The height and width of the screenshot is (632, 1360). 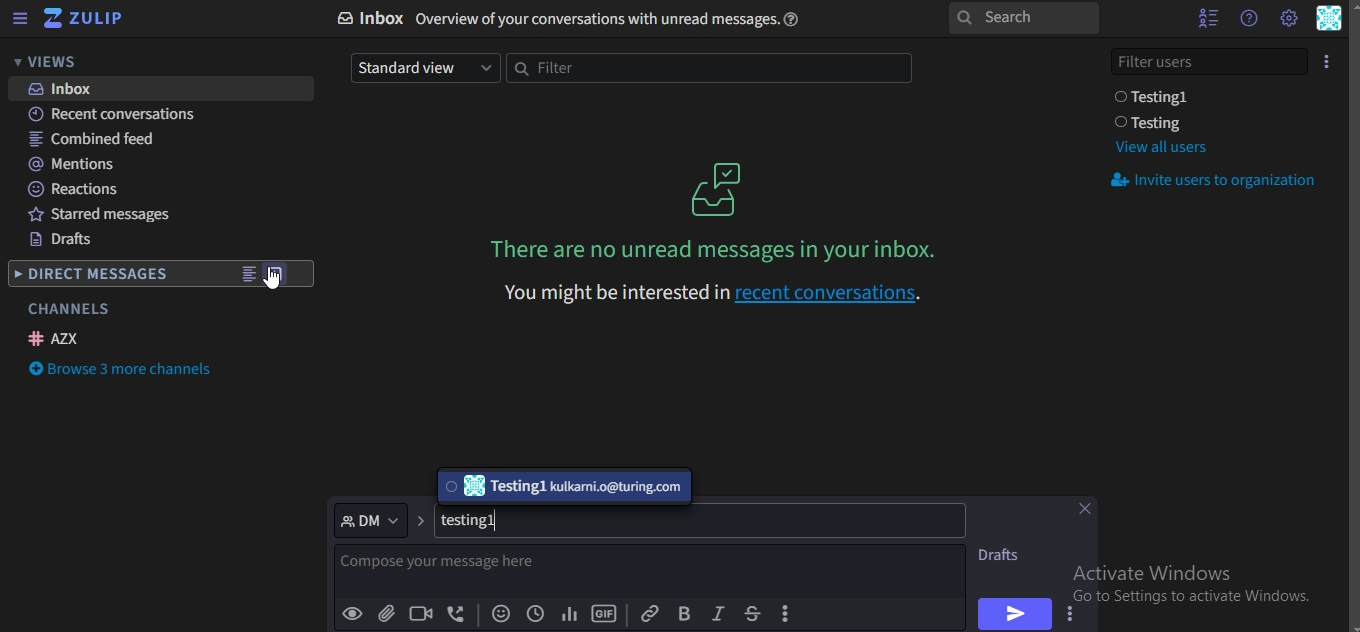 I want to click on mentions, so click(x=76, y=164).